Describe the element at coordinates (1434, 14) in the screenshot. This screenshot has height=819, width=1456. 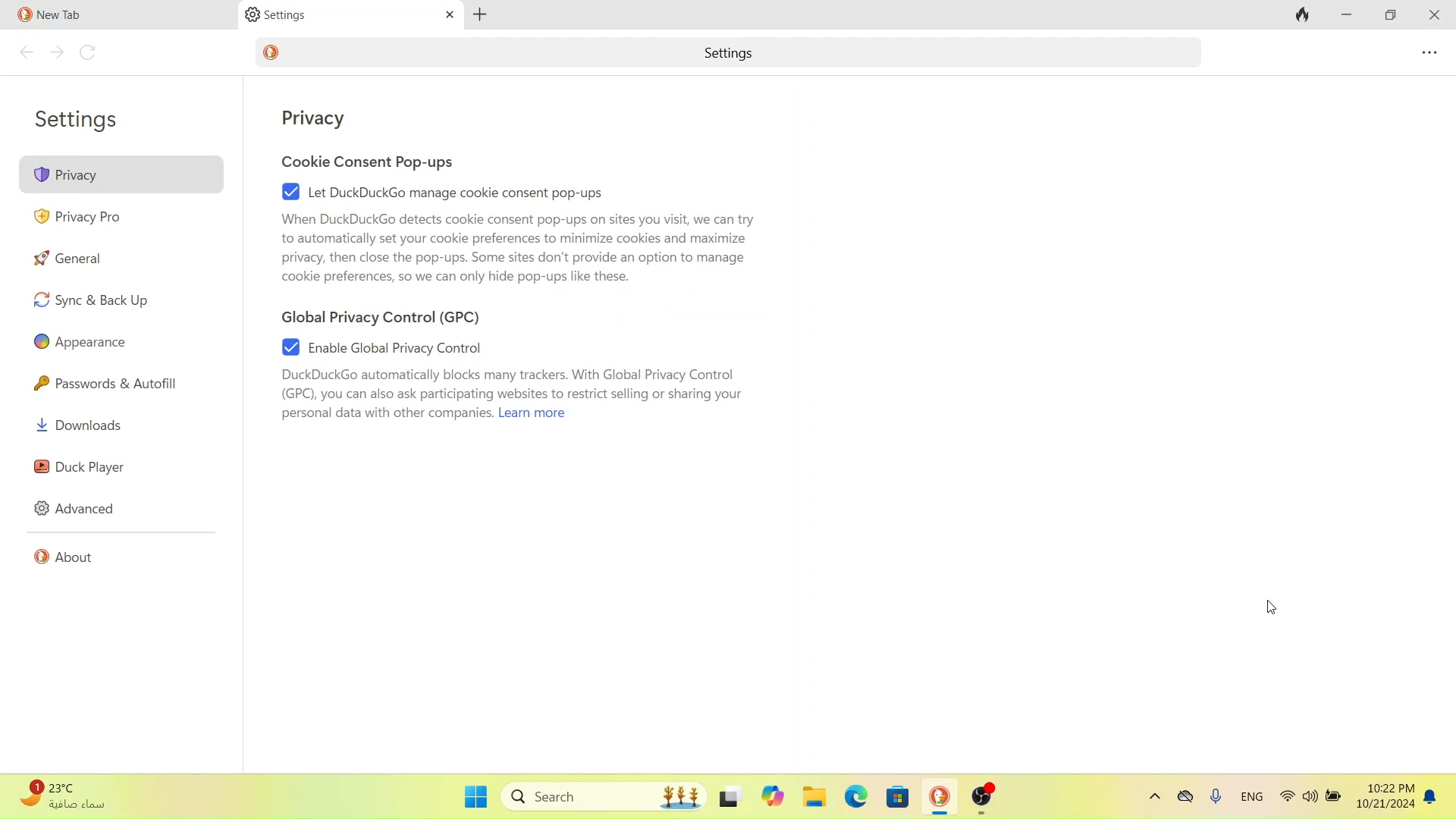
I see `close` at that location.